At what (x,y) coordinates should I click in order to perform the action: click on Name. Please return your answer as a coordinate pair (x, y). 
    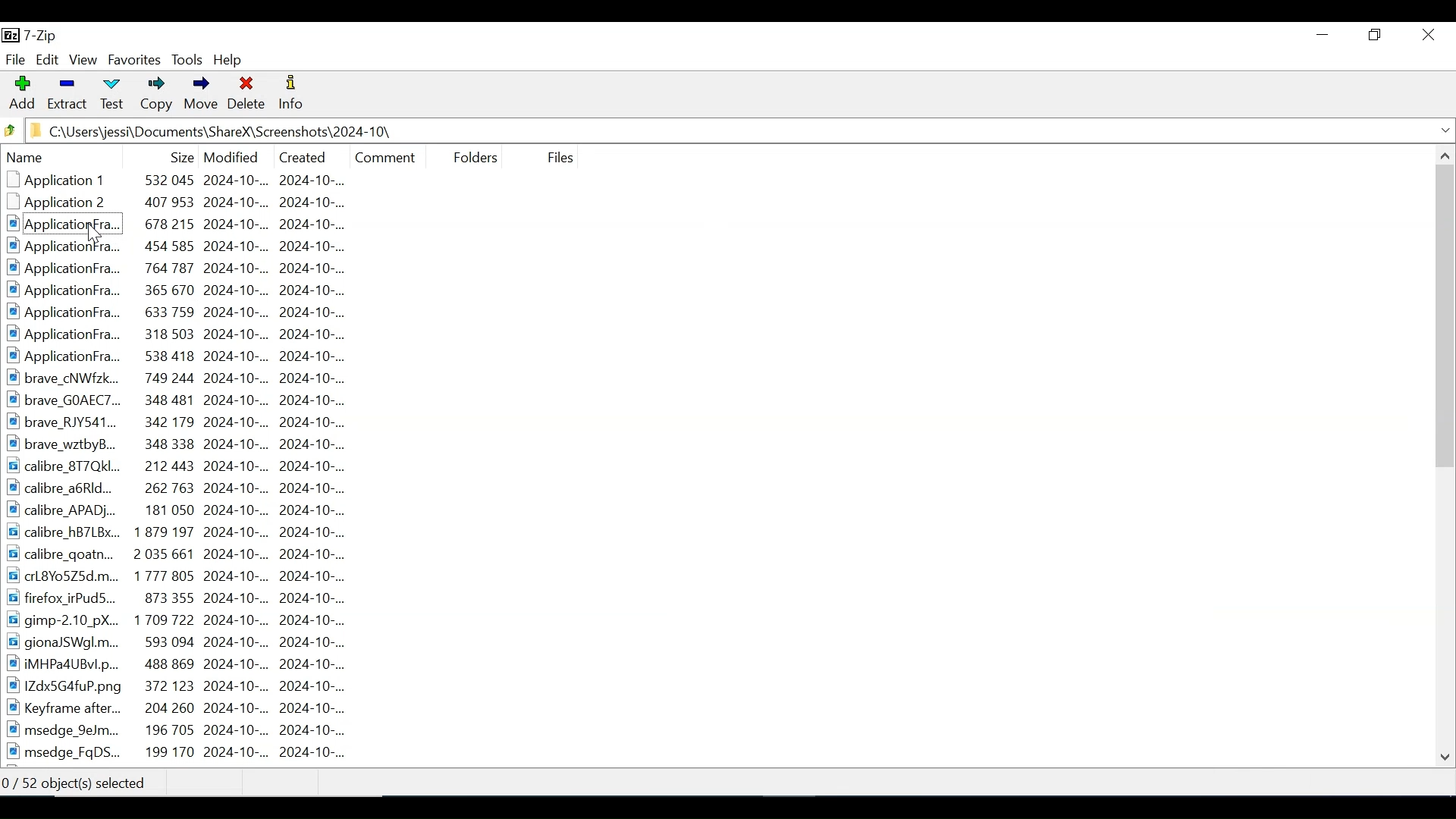
    Looking at the image, I should click on (77, 156).